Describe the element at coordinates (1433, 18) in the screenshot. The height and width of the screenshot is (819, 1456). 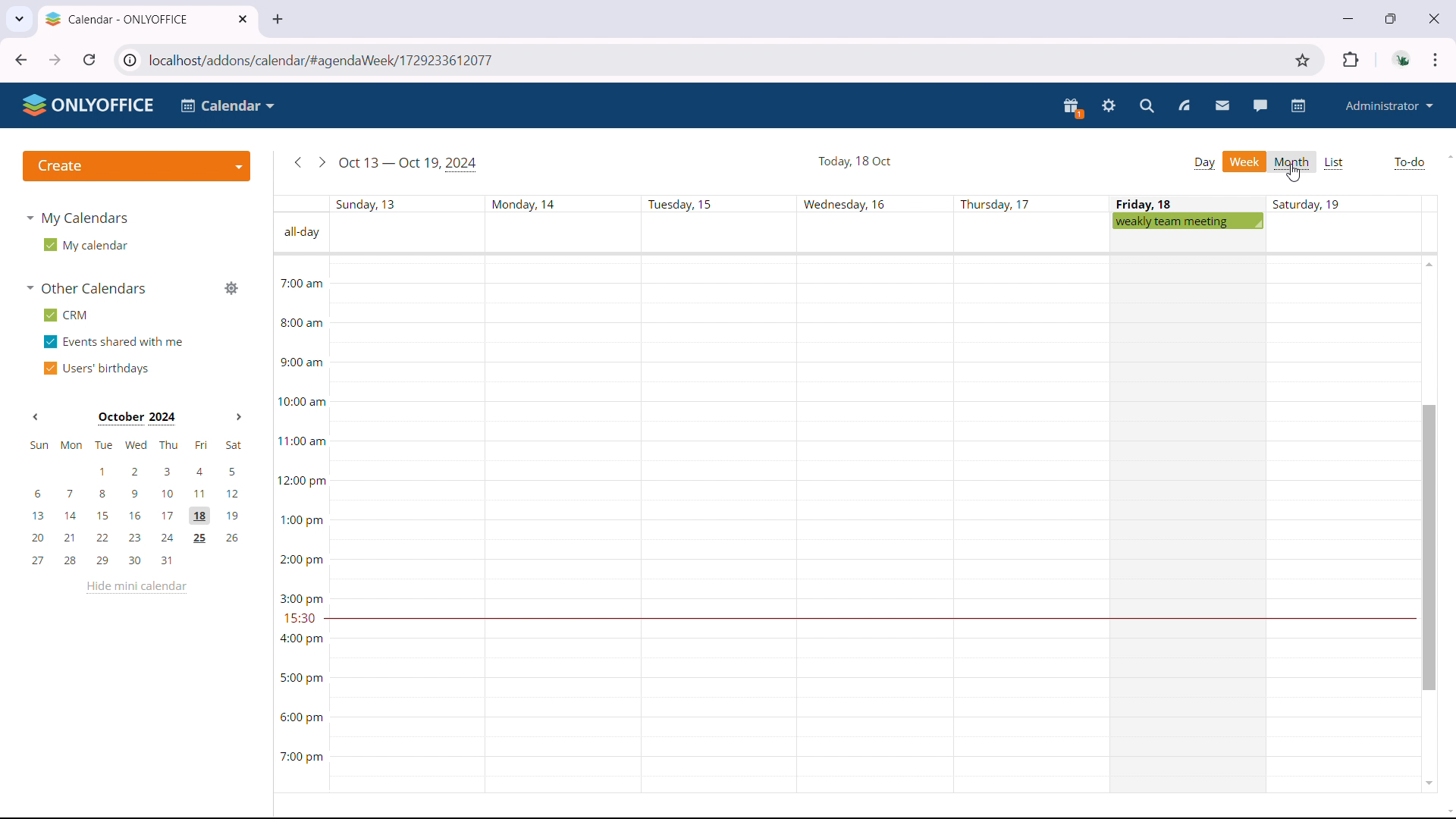
I see `close` at that location.